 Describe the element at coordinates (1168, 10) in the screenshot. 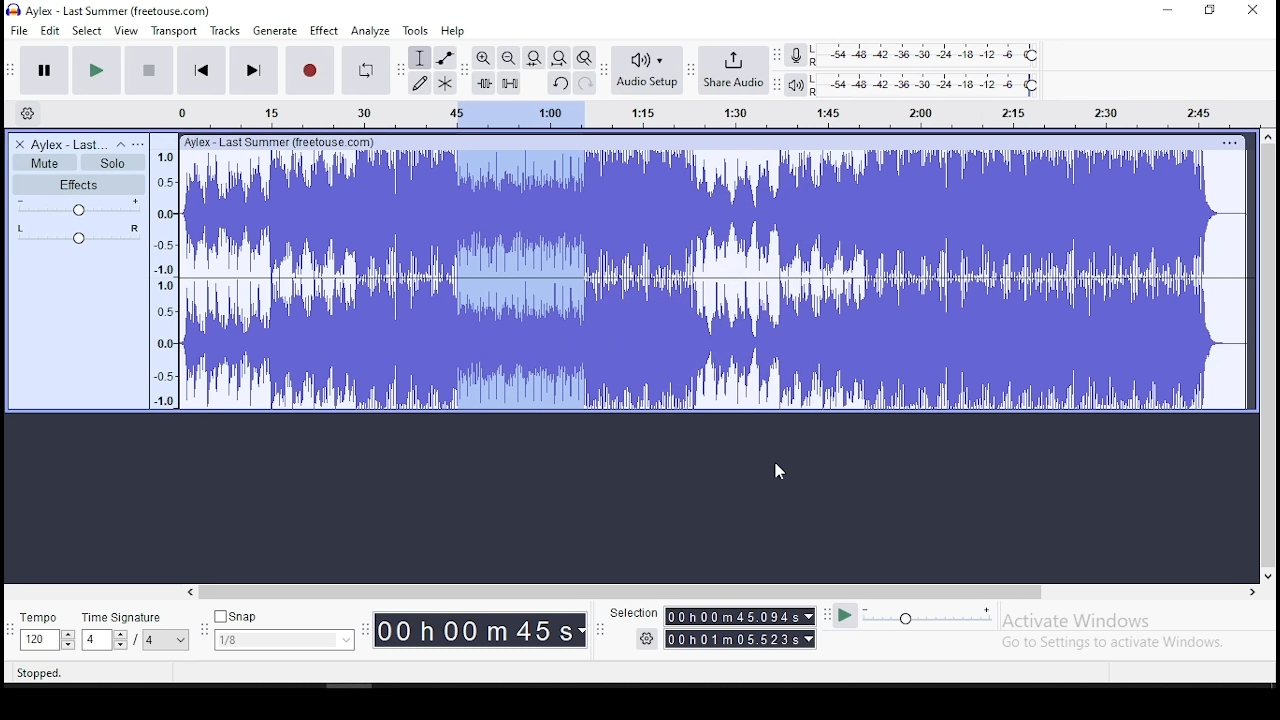

I see `minimize` at that location.